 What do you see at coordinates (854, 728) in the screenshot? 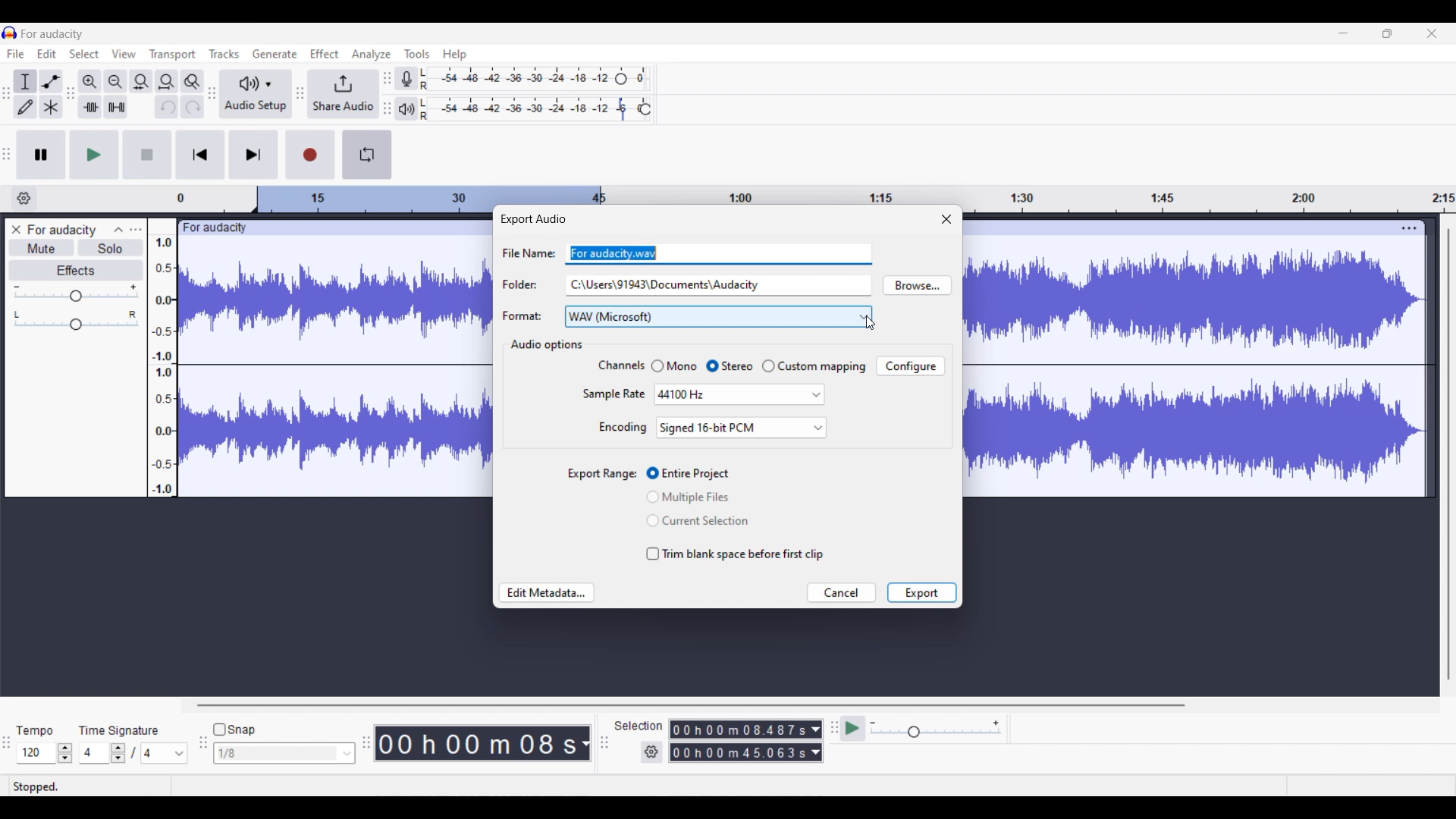
I see `Play at speed/Play at speed once` at bounding box center [854, 728].